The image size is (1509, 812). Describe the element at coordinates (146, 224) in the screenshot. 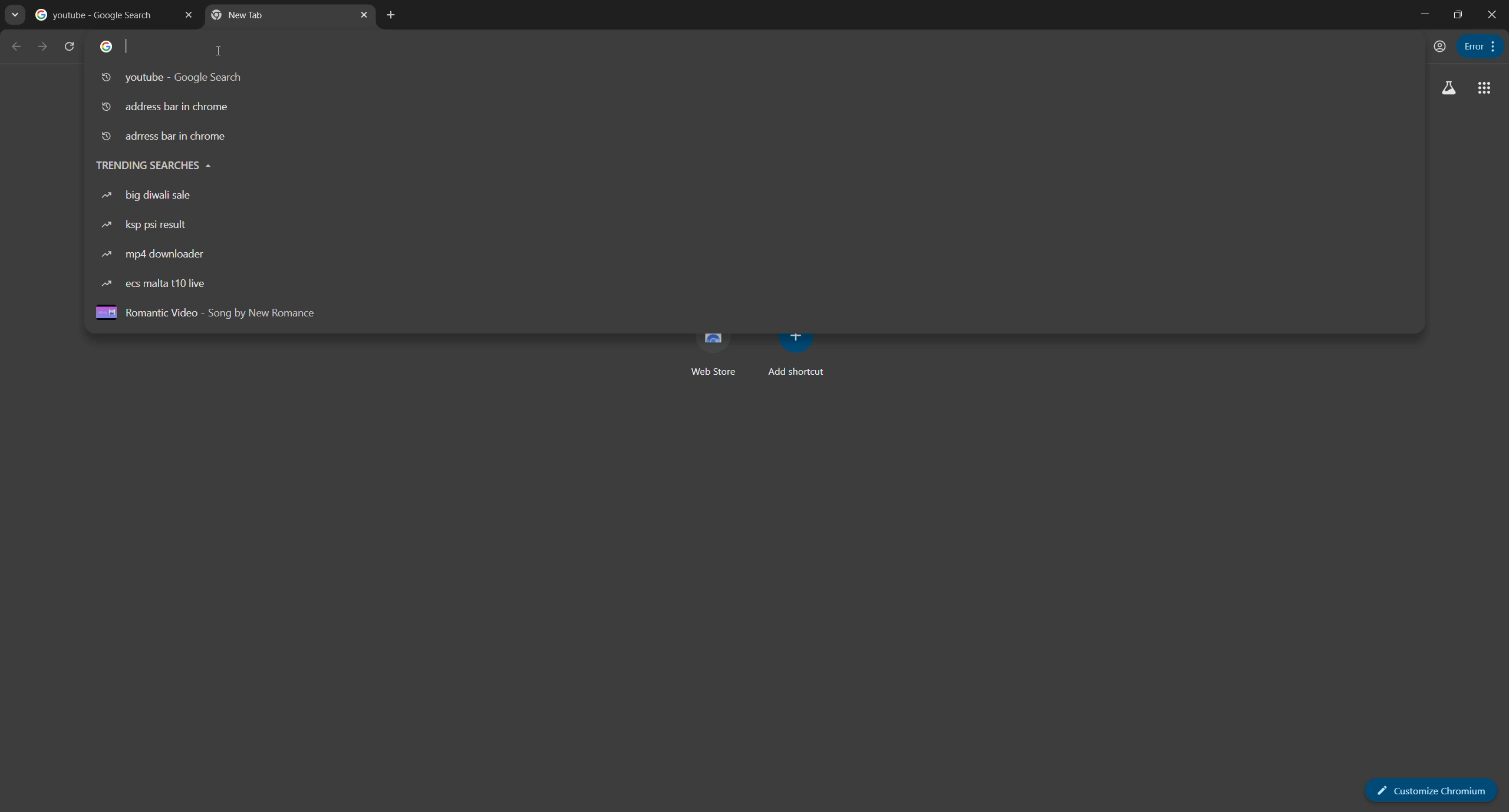

I see `ksp psi result` at that location.